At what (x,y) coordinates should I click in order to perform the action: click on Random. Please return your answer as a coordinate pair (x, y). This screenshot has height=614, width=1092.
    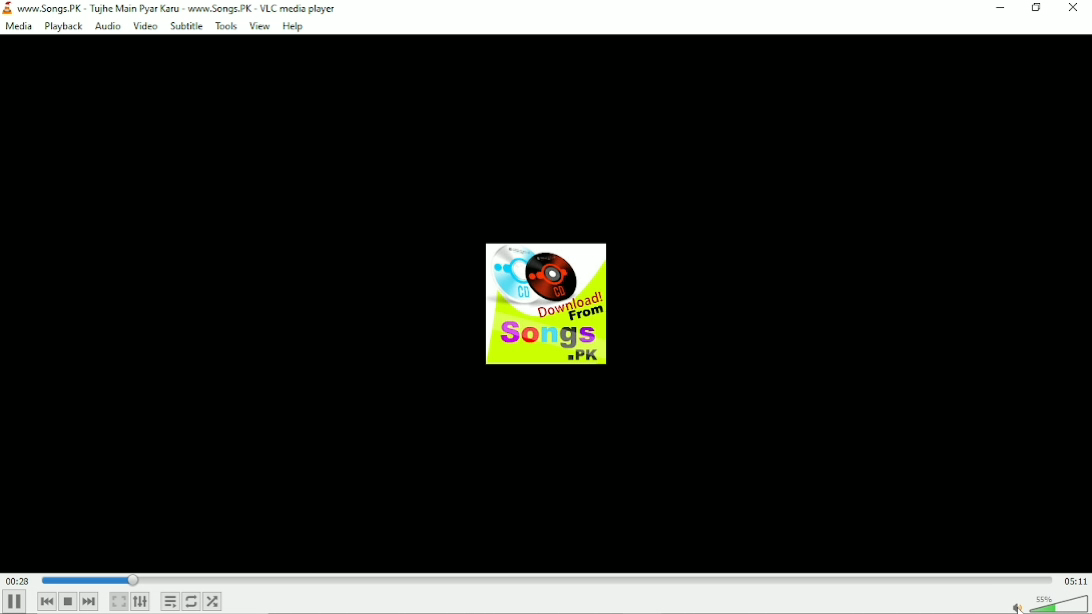
    Looking at the image, I should click on (212, 601).